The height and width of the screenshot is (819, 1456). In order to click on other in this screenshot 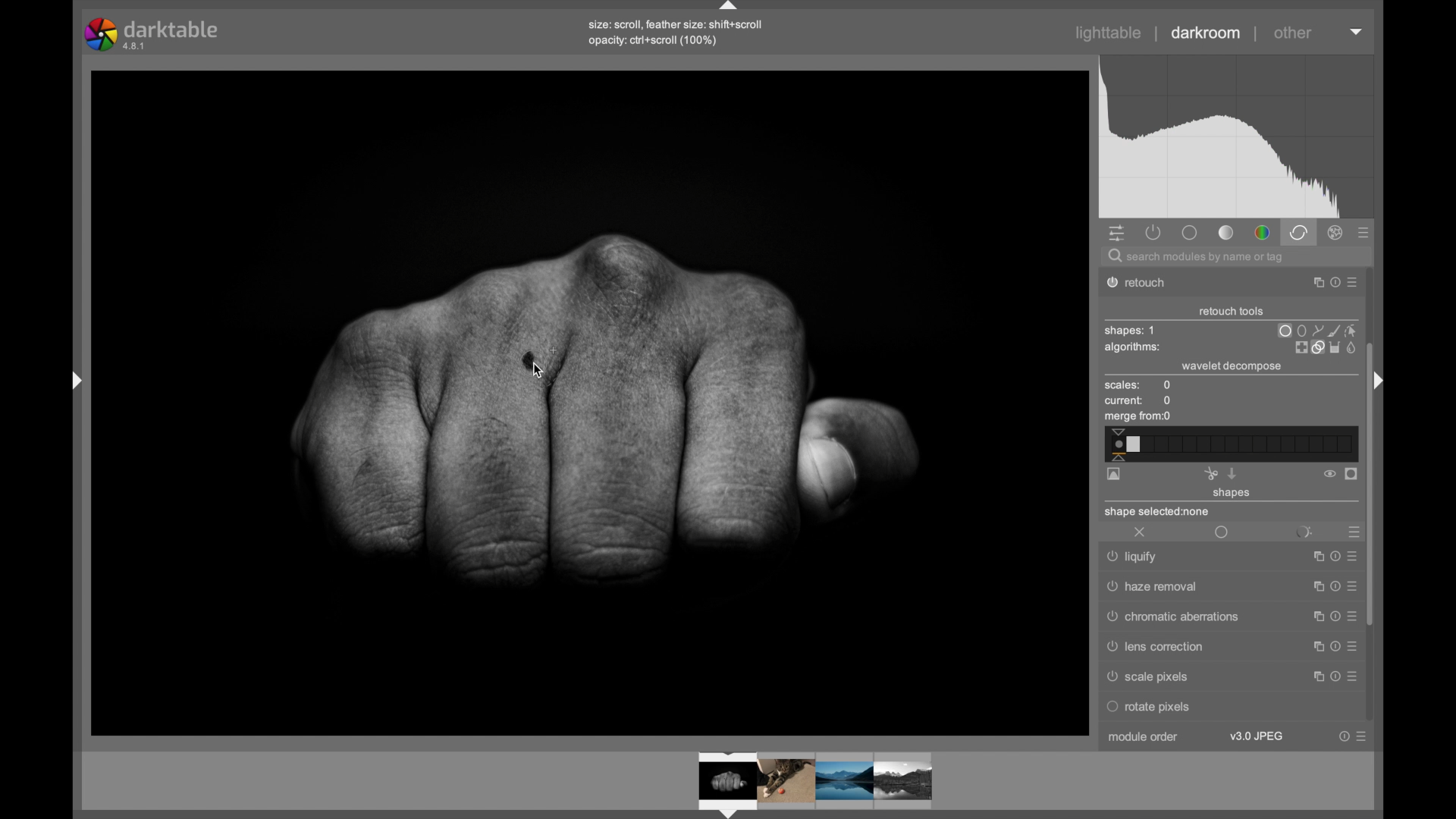, I will do `click(1293, 33)`.